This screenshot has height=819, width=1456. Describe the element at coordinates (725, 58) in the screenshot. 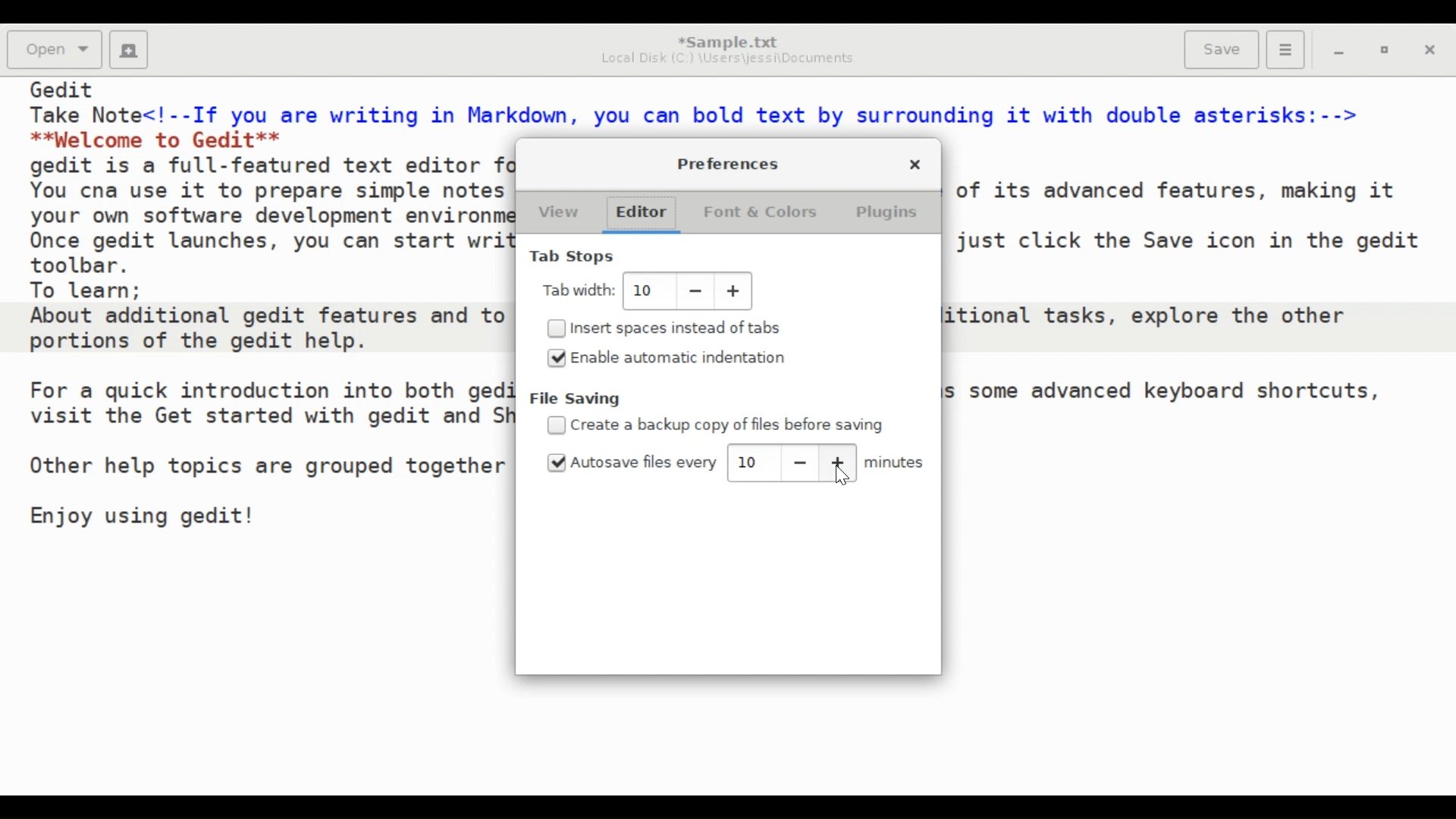

I see `Local Disk (C2) \Users\jessi\Documents` at that location.